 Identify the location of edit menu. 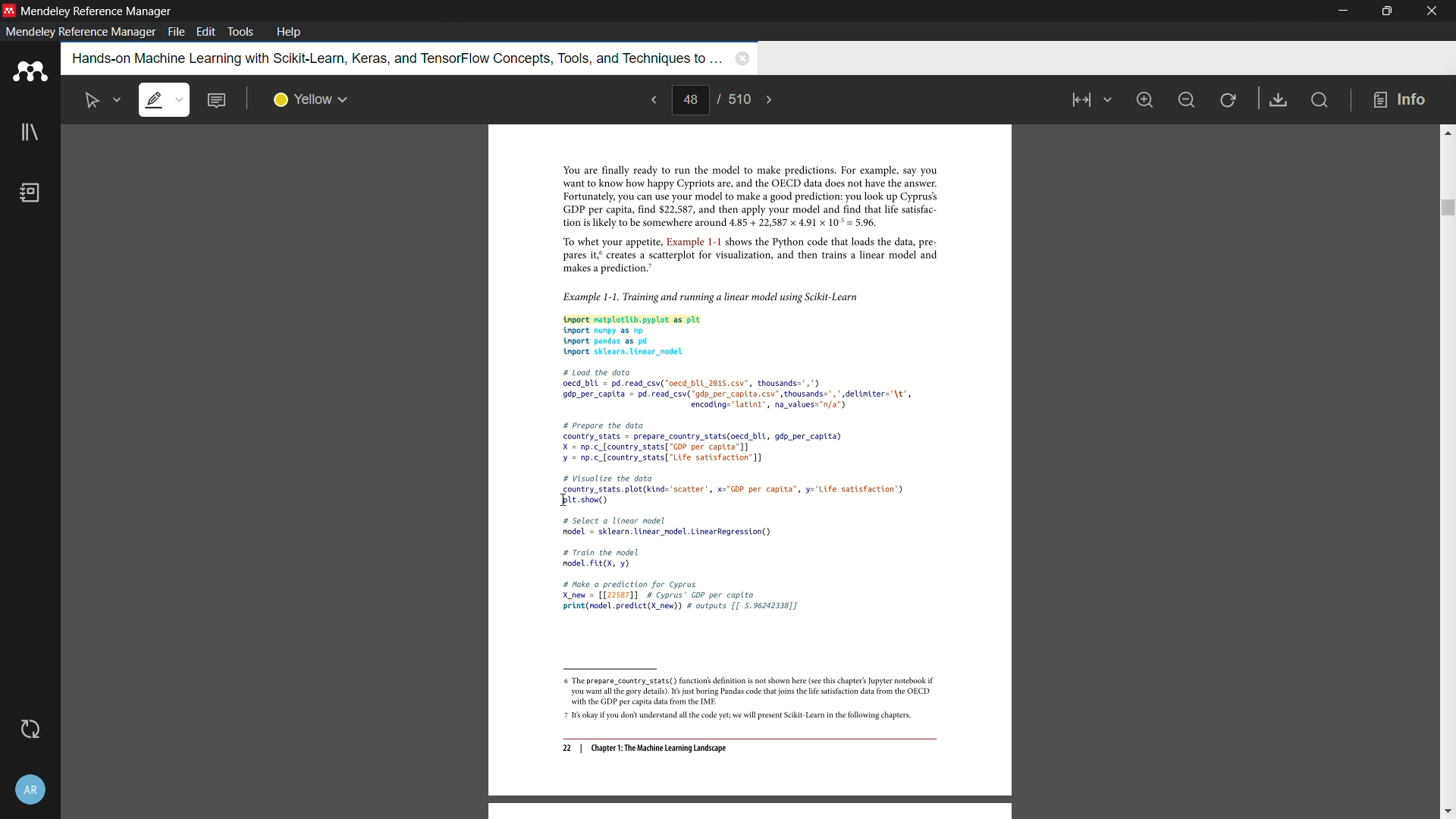
(208, 32).